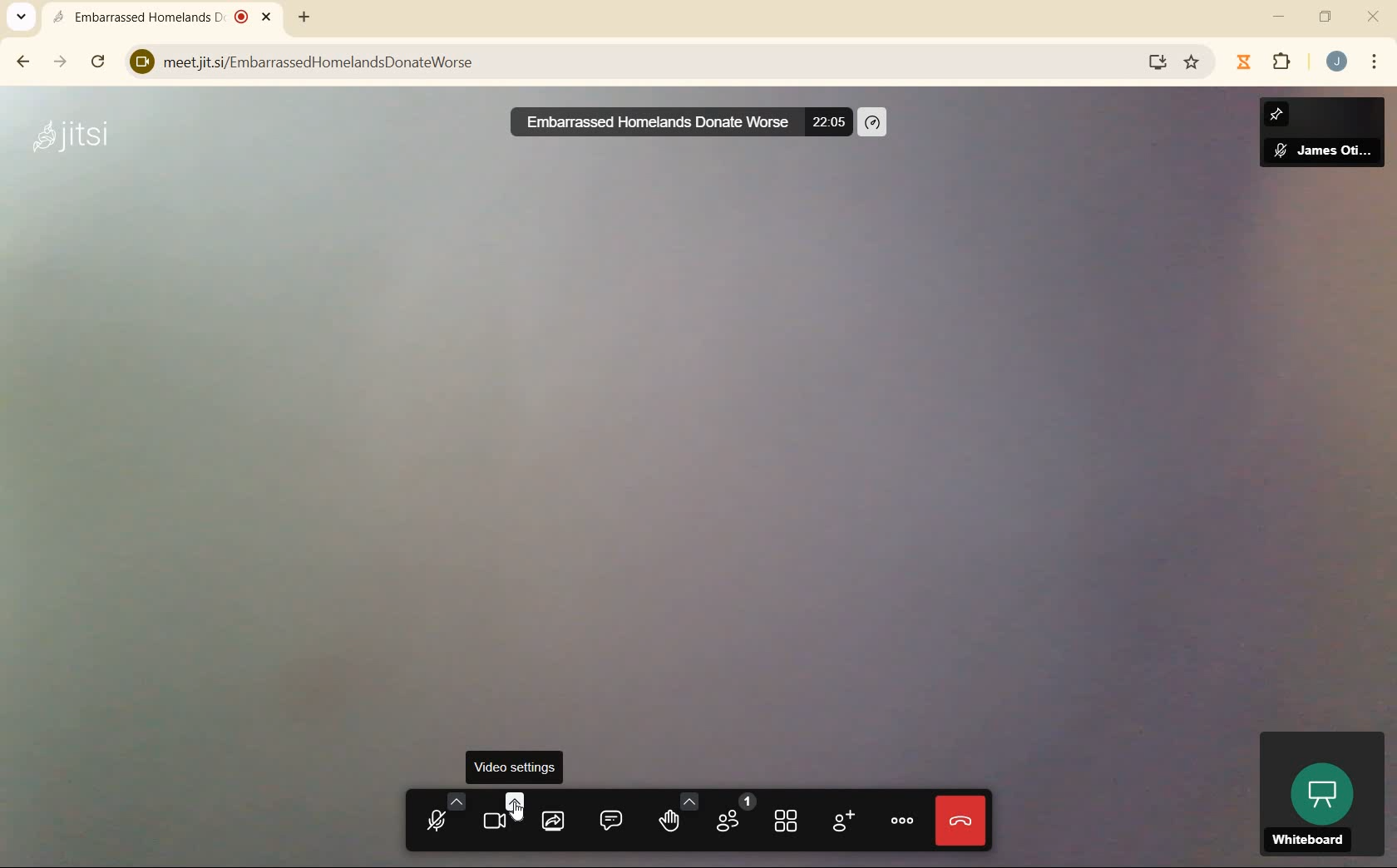 The image size is (1397, 868). What do you see at coordinates (498, 812) in the screenshot?
I see `video` at bounding box center [498, 812].